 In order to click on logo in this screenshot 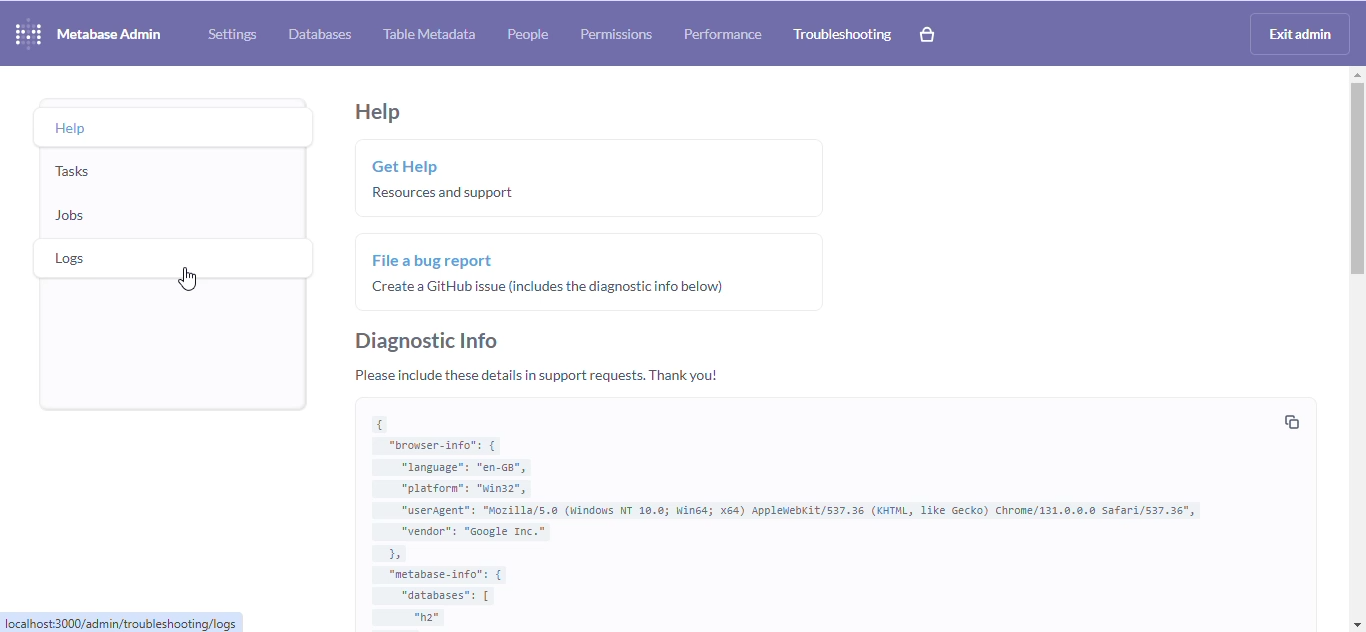, I will do `click(28, 33)`.